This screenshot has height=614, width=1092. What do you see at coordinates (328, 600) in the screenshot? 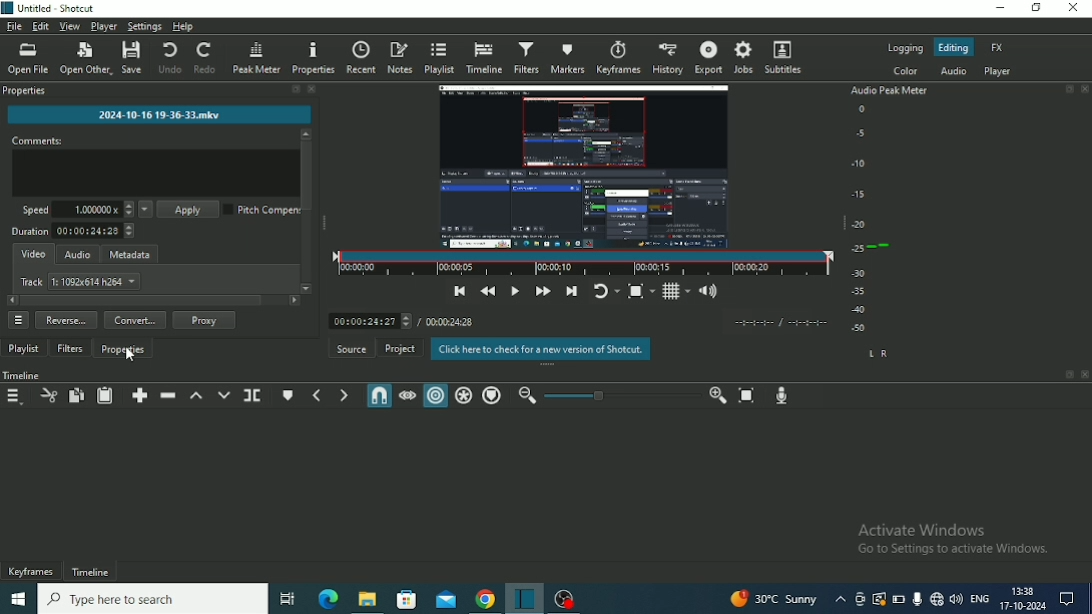
I see `Microsoft Edge` at bounding box center [328, 600].